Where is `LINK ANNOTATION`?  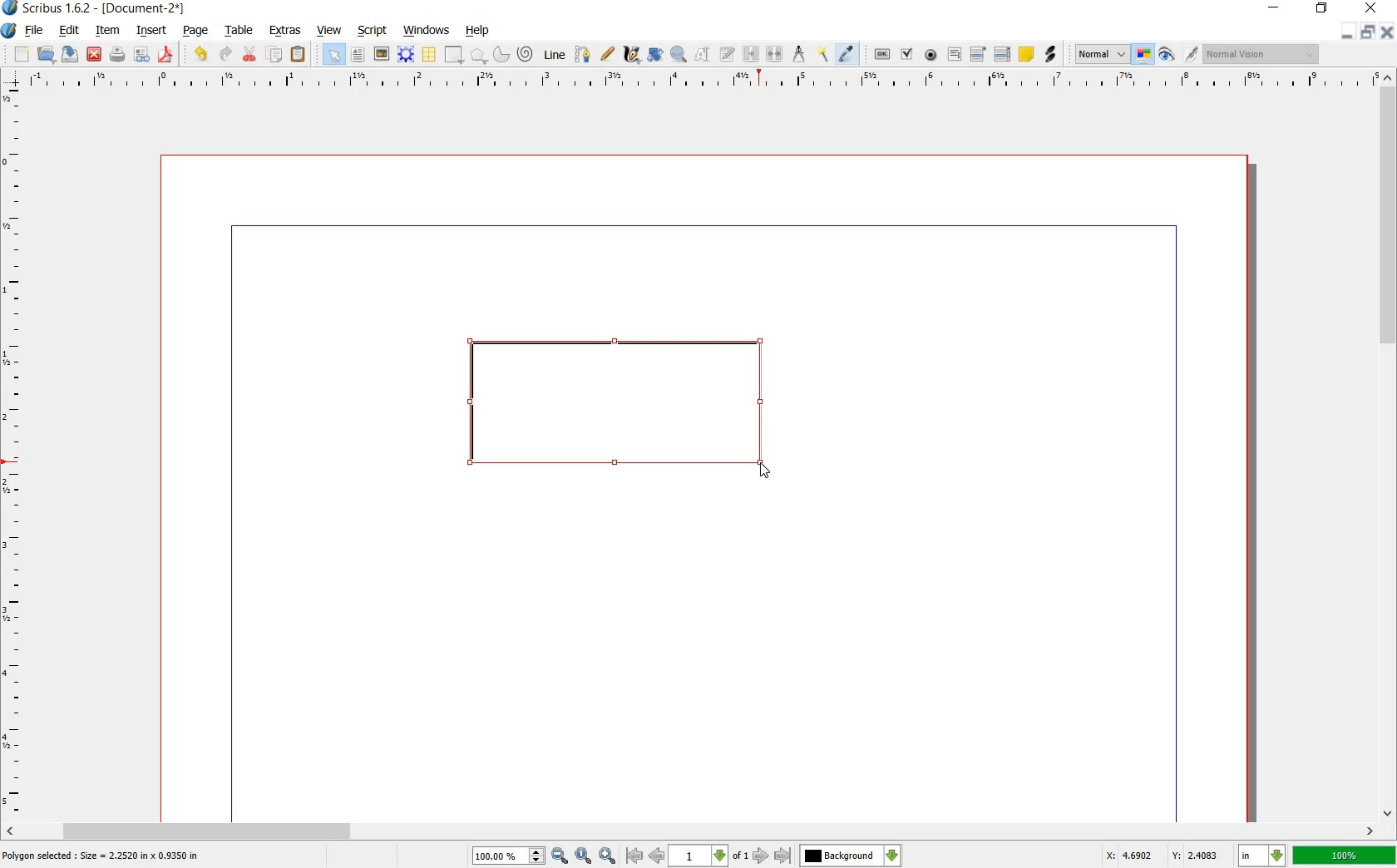
LINK ANNOTATION is located at coordinates (1051, 55).